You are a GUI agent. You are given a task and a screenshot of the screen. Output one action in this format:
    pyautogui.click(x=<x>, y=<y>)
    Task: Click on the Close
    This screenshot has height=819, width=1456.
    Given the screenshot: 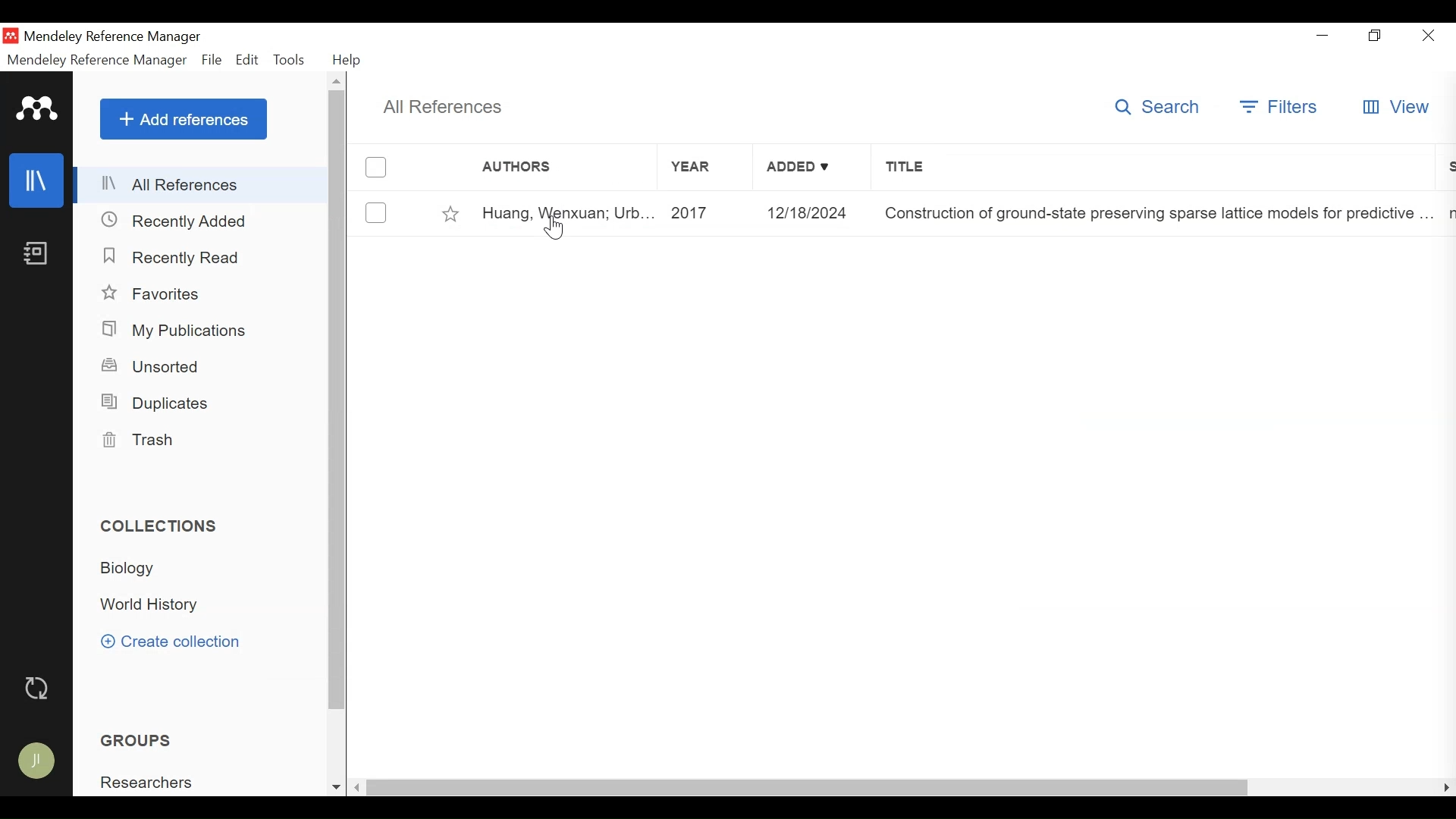 What is the action you would take?
    pyautogui.click(x=1429, y=37)
    